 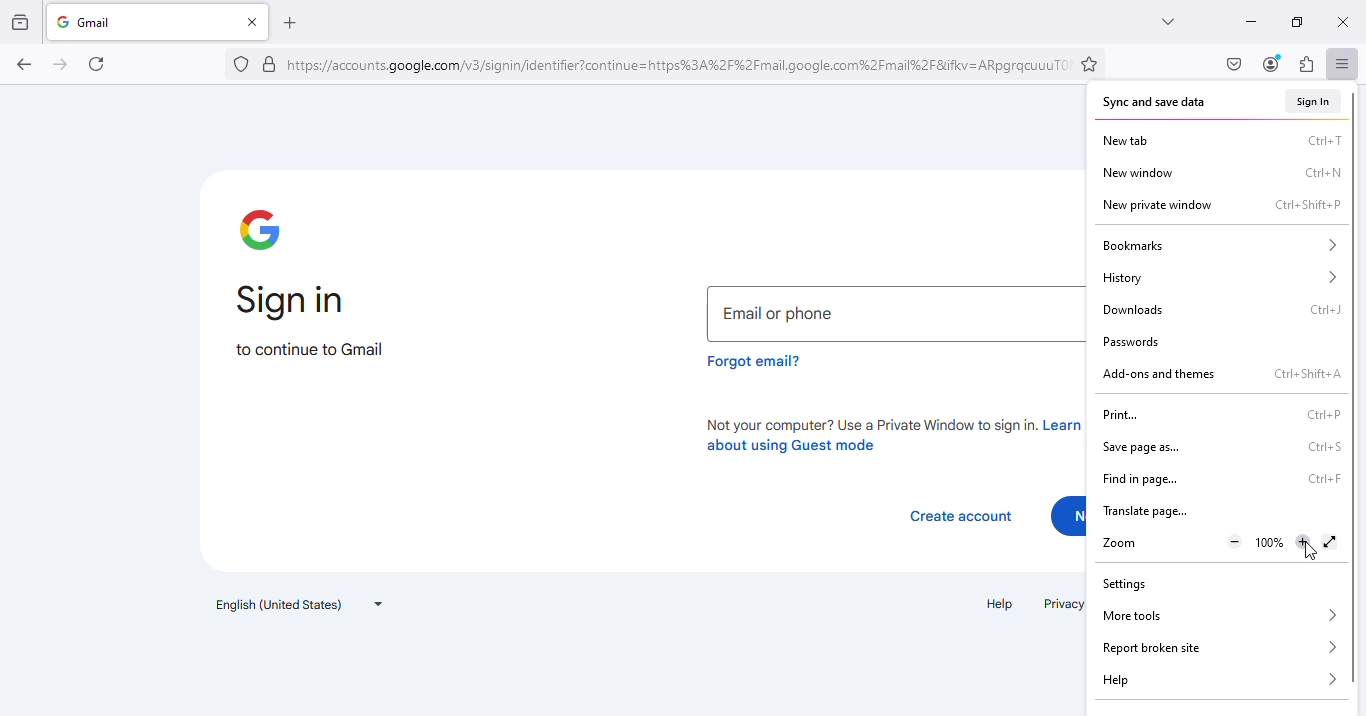 I want to click on zoom out, so click(x=1234, y=542).